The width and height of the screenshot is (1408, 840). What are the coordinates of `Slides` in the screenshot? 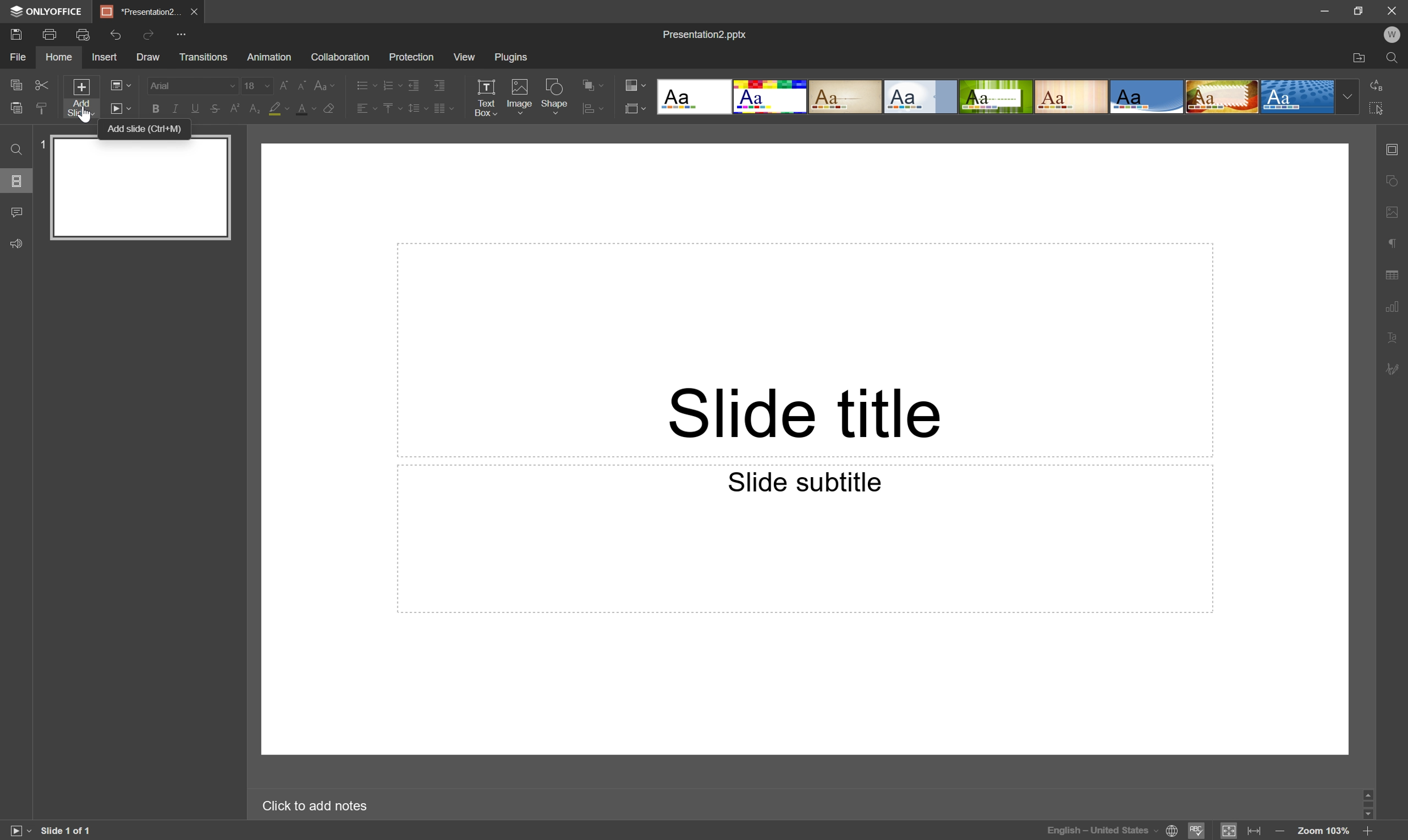 It's located at (18, 182).